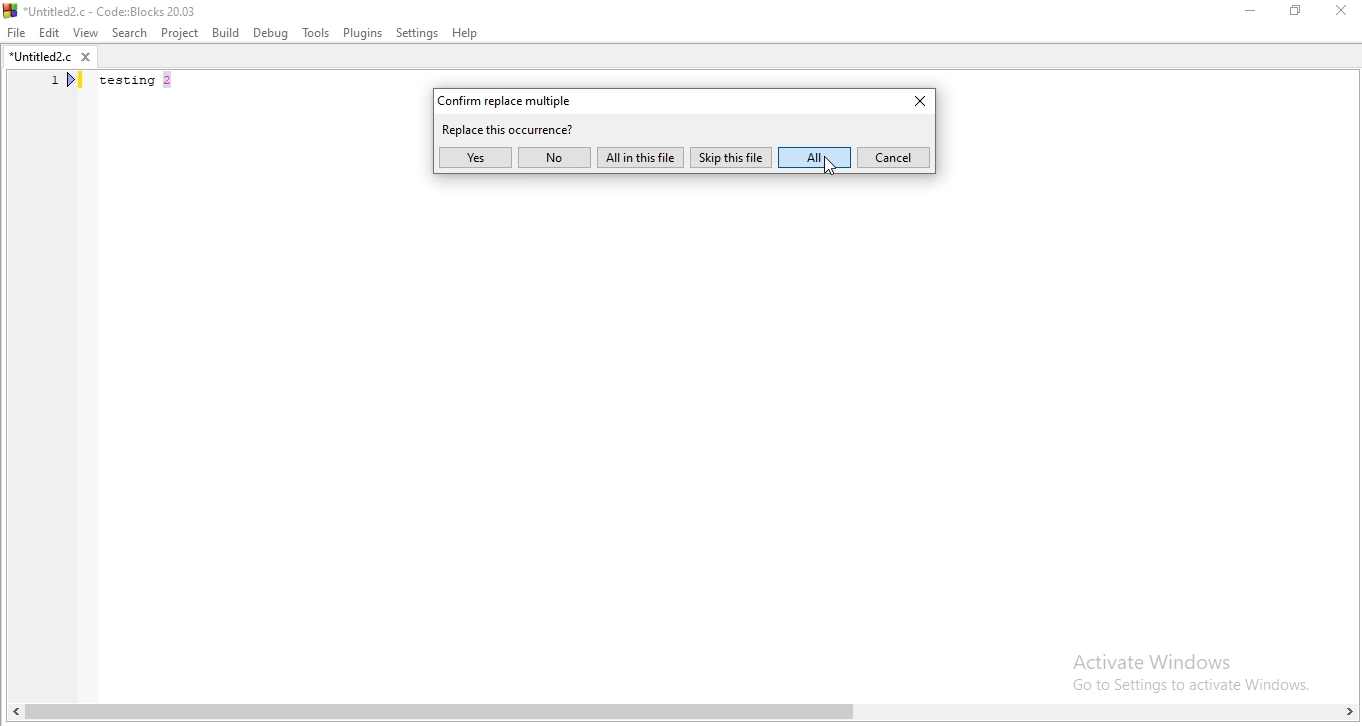 This screenshot has height=726, width=1362. Describe the element at coordinates (315, 34) in the screenshot. I see `Tools ` at that location.